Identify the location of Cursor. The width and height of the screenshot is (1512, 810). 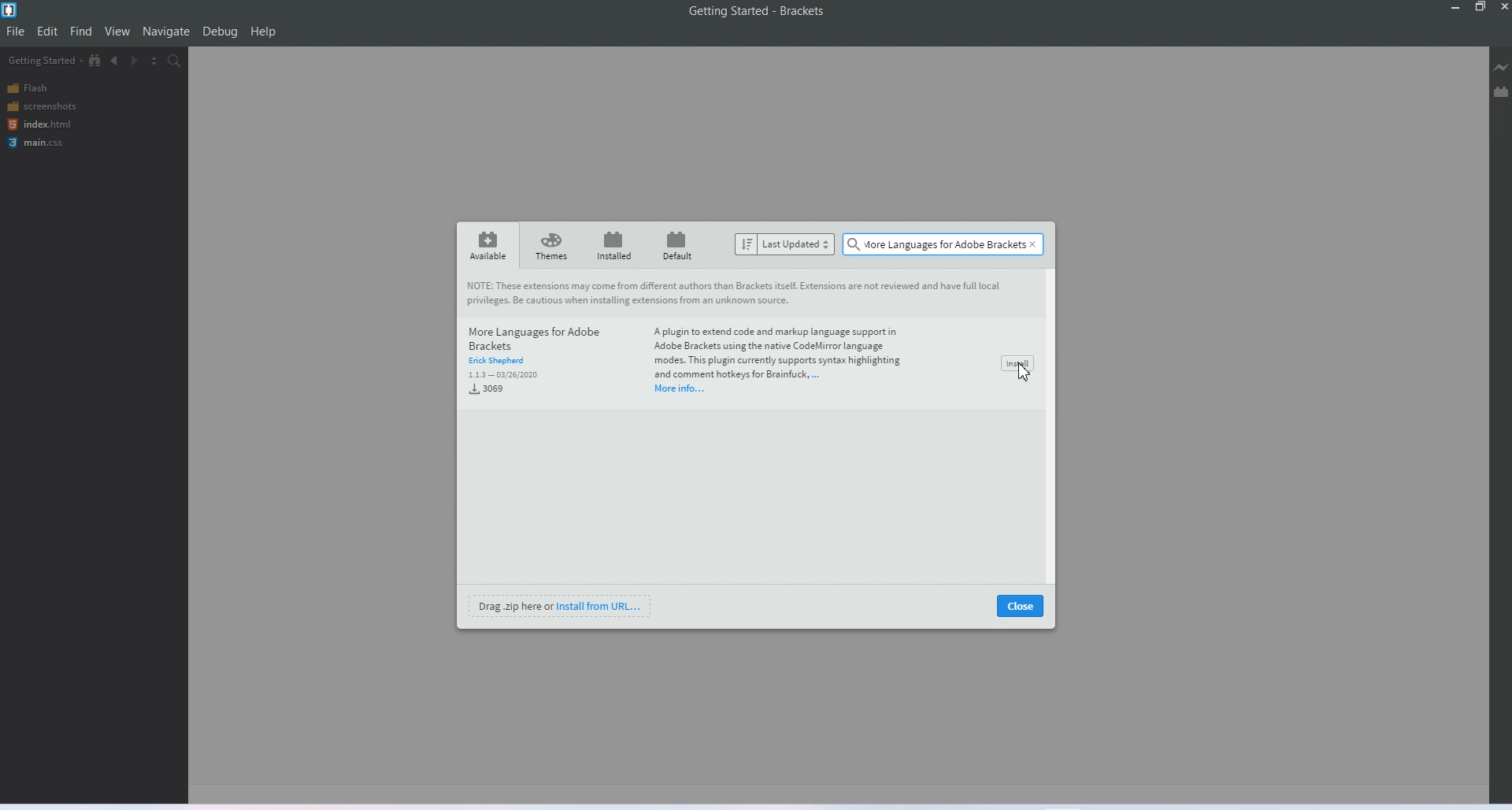
(1025, 373).